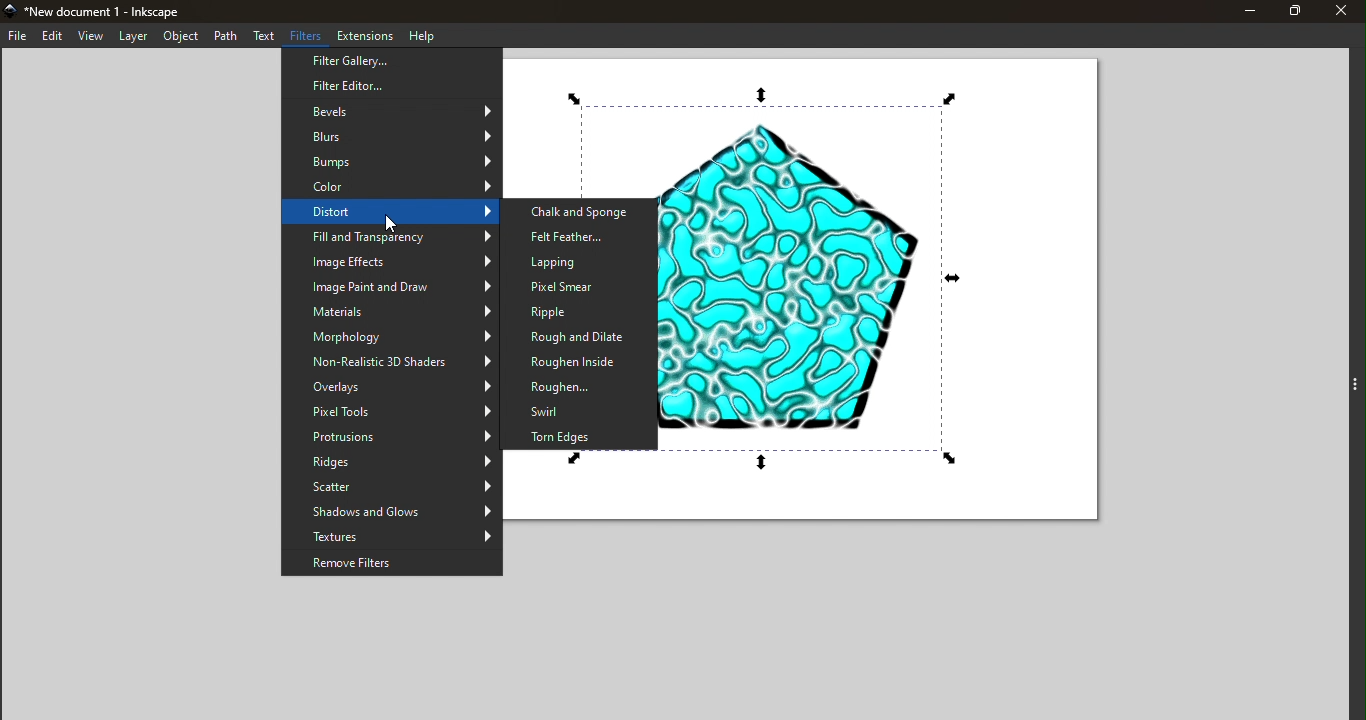  Describe the element at coordinates (391, 239) in the screenshot. I see `Fill and Trasparency` at that location.